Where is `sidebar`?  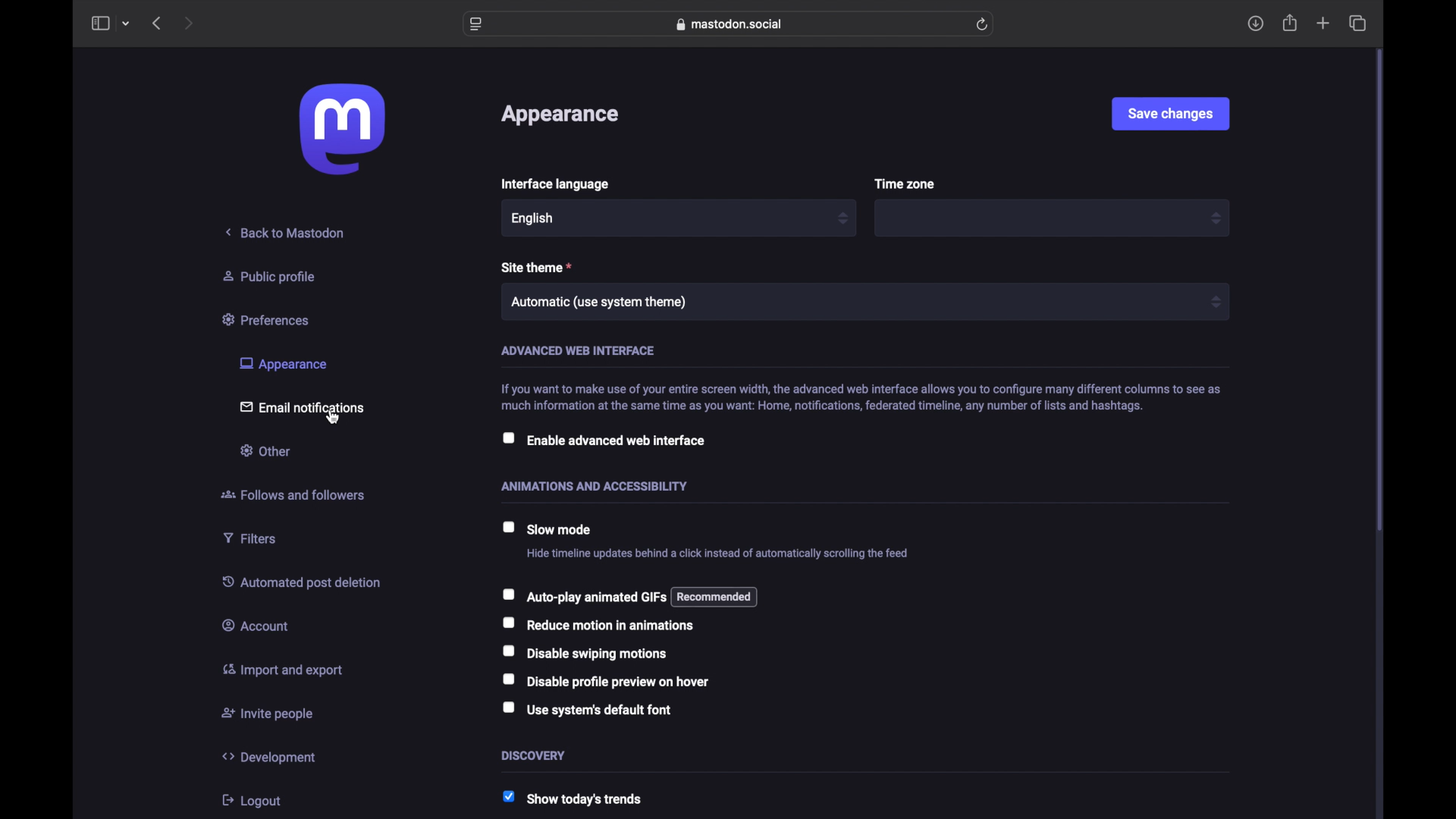 sidebar is located at coordinates (99, 23).